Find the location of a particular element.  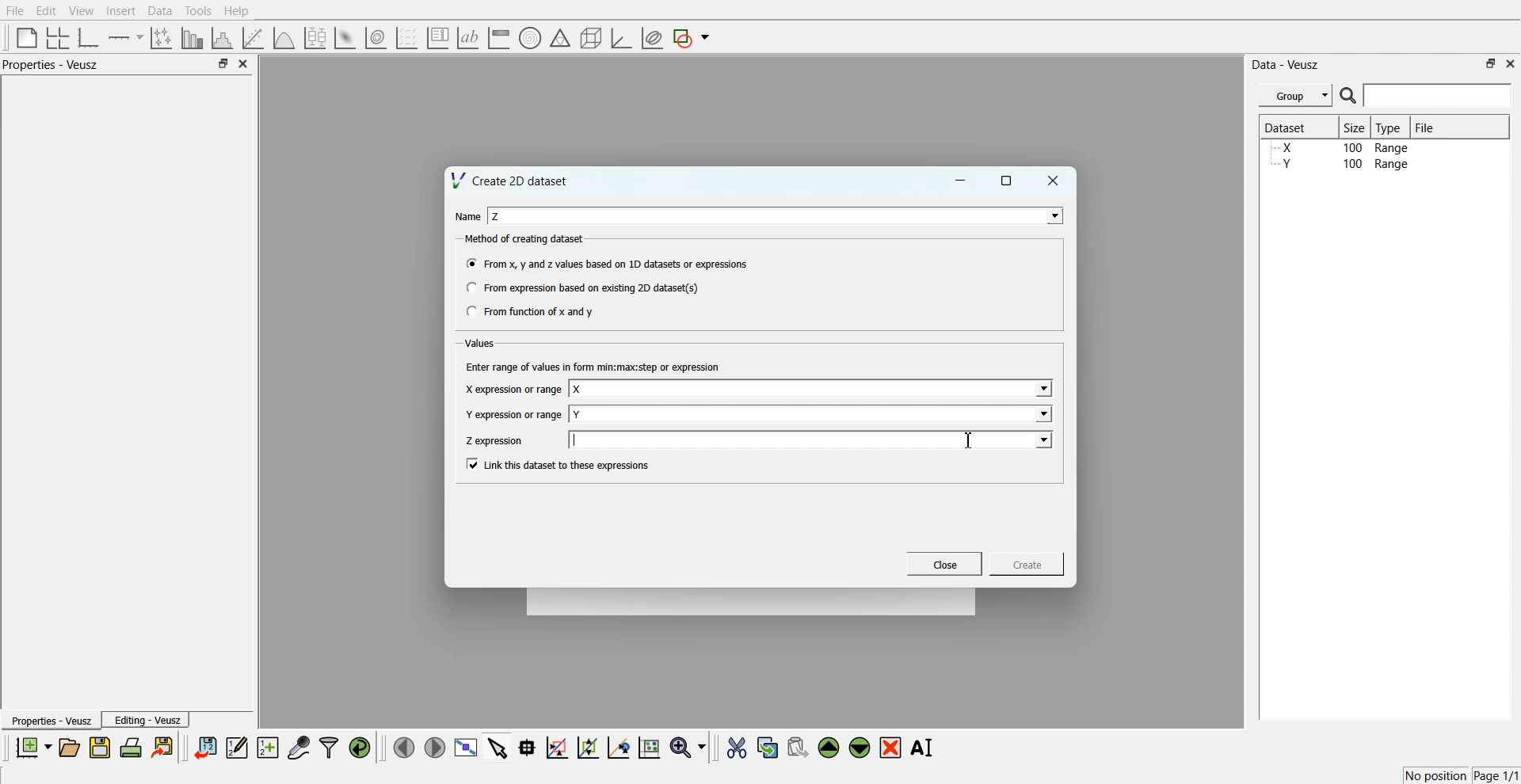

From function of x and y is located at coordinates (532, 310).